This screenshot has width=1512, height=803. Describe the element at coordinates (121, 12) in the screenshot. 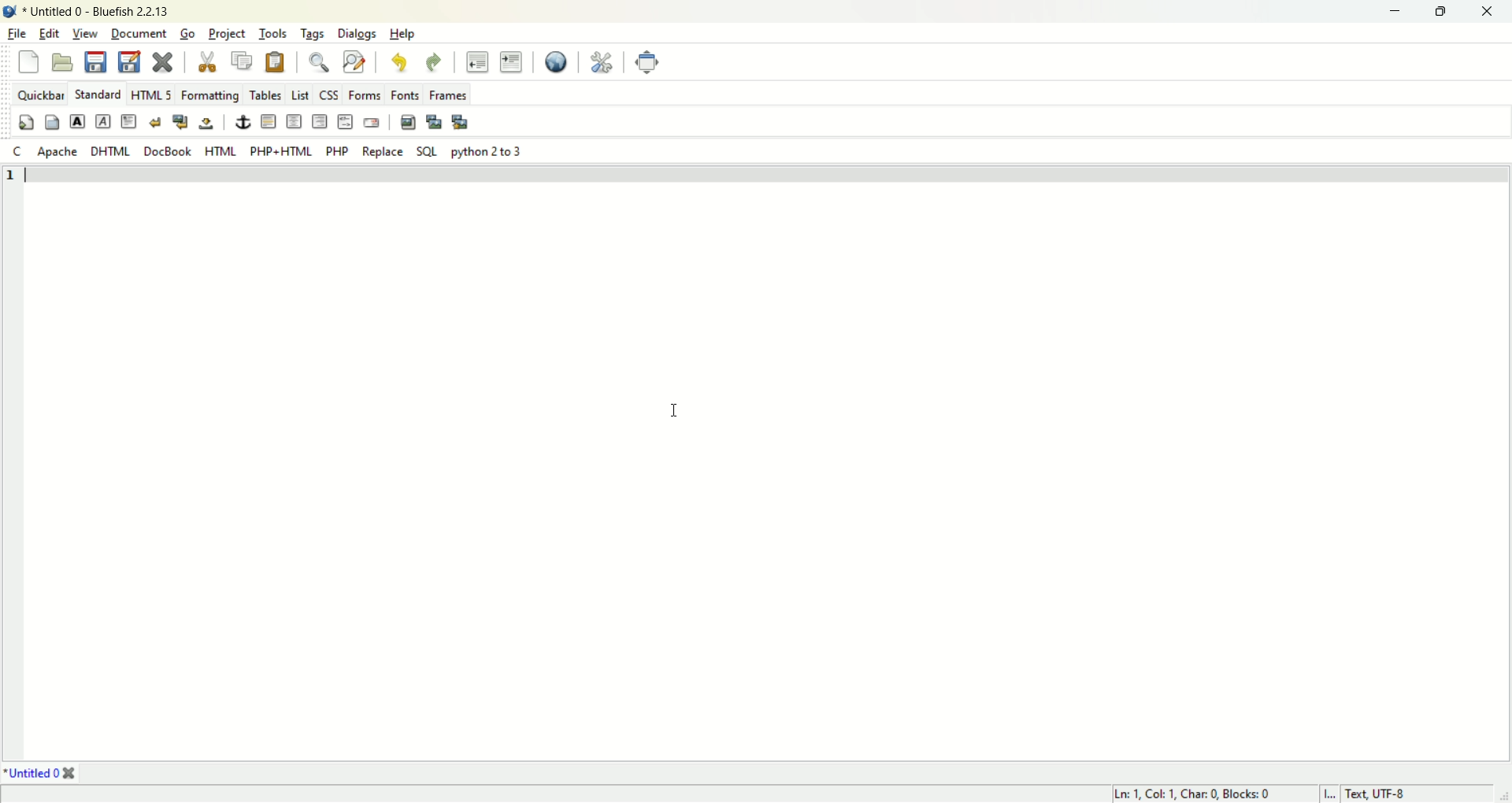

I see `document name` at that location.